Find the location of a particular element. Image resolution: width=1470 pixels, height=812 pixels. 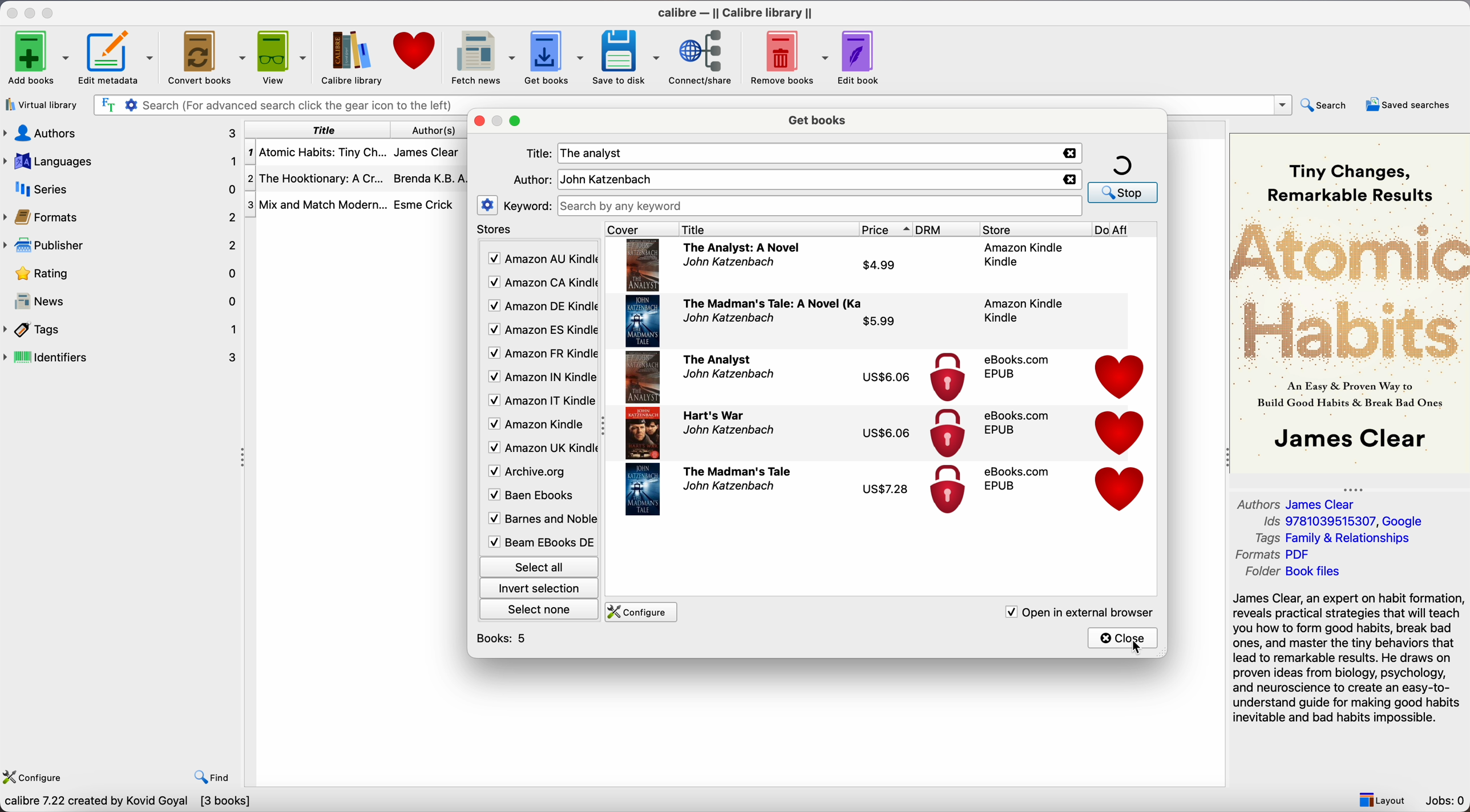

The Analyst: A Novel is located at coordinates (743, 248).